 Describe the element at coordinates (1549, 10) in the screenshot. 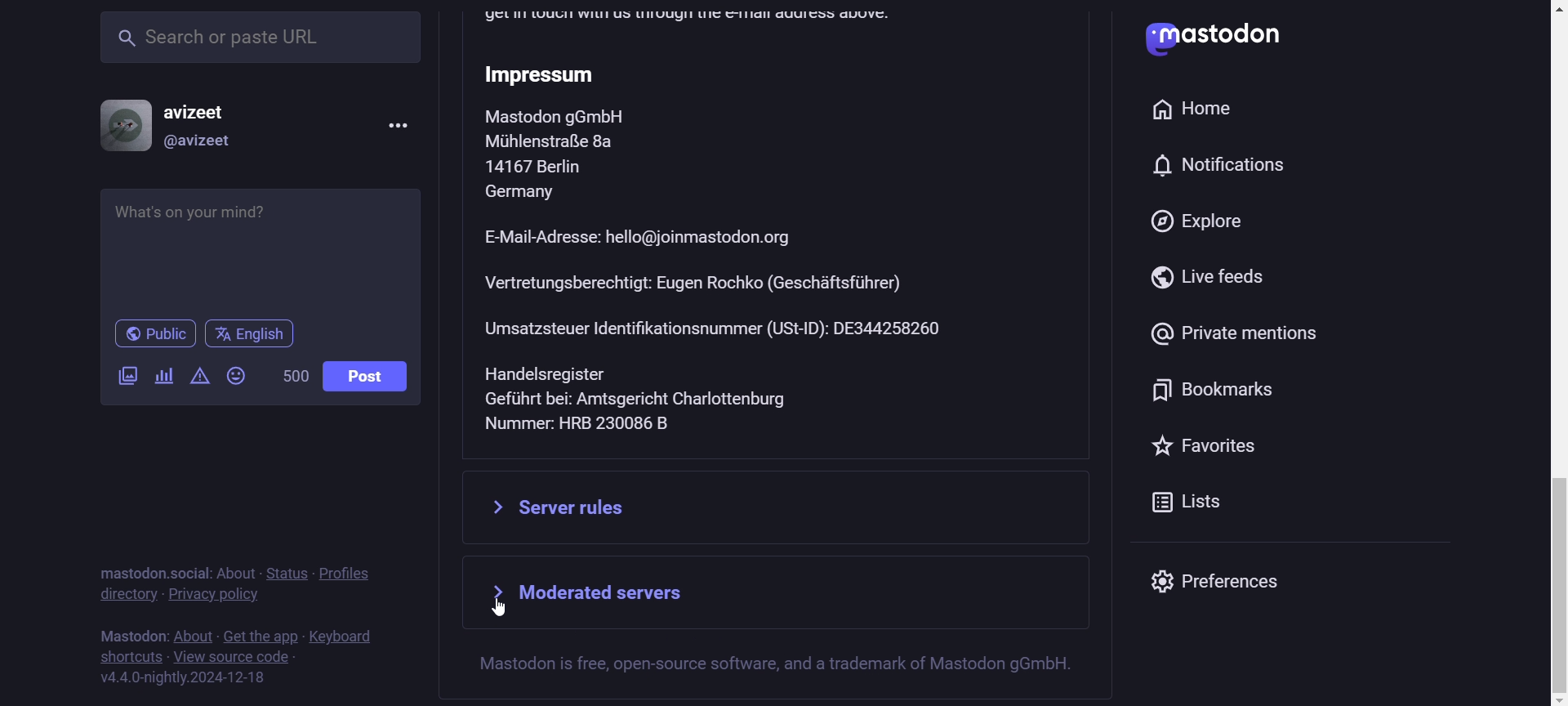

I see `Scroll Up` at that location.